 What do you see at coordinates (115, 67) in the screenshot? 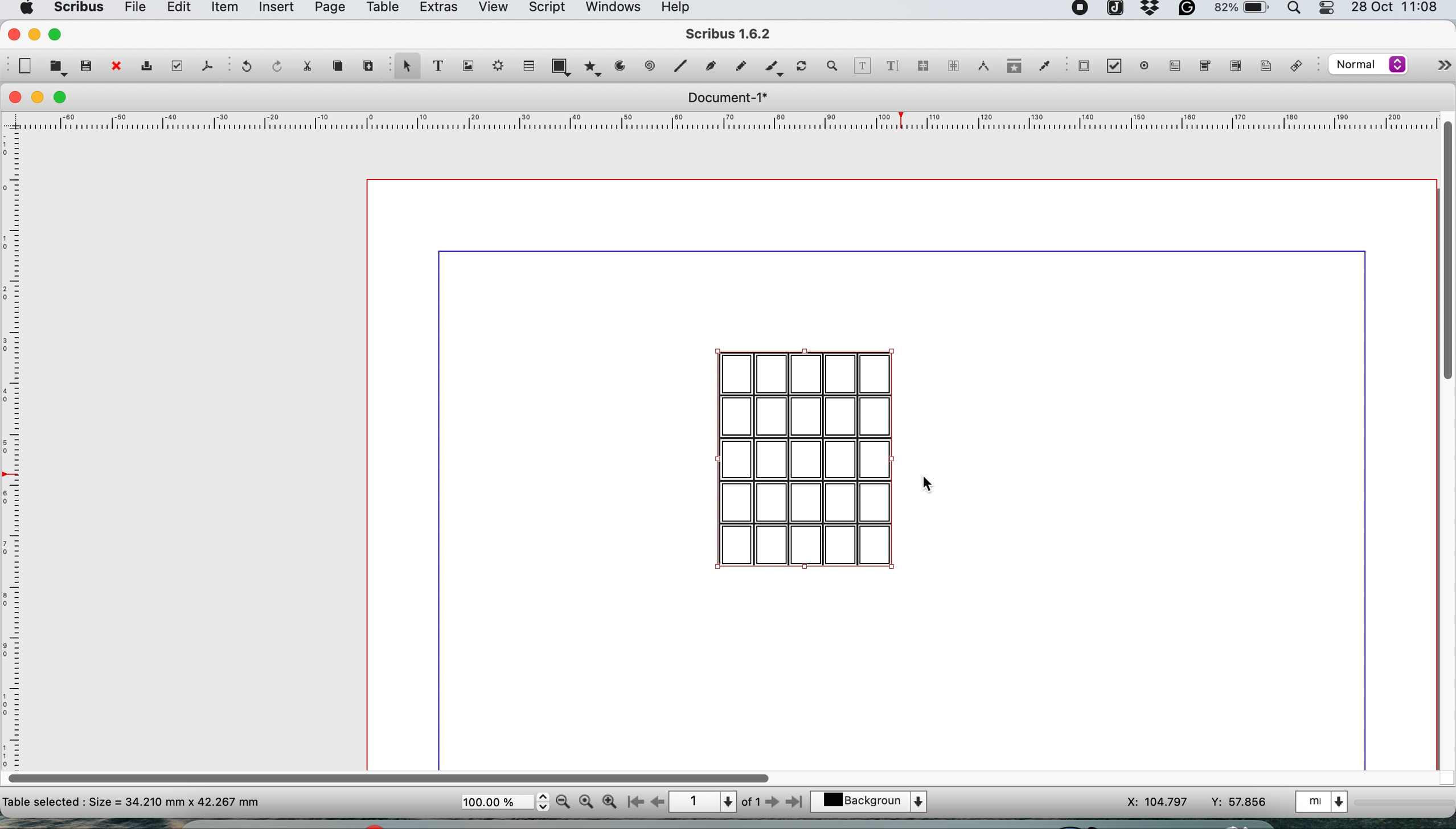
I see `close` at bounding box center [115, 67].